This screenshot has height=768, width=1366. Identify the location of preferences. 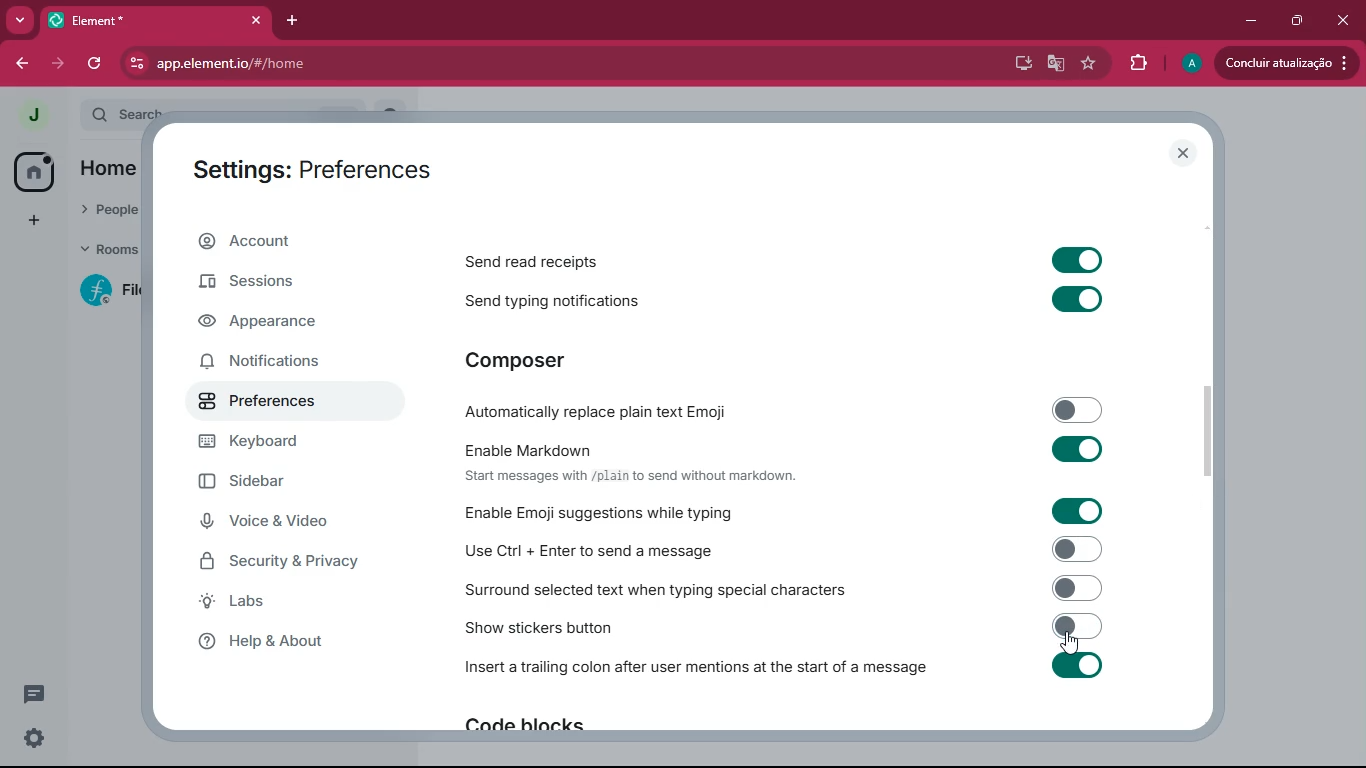
(283, 402).